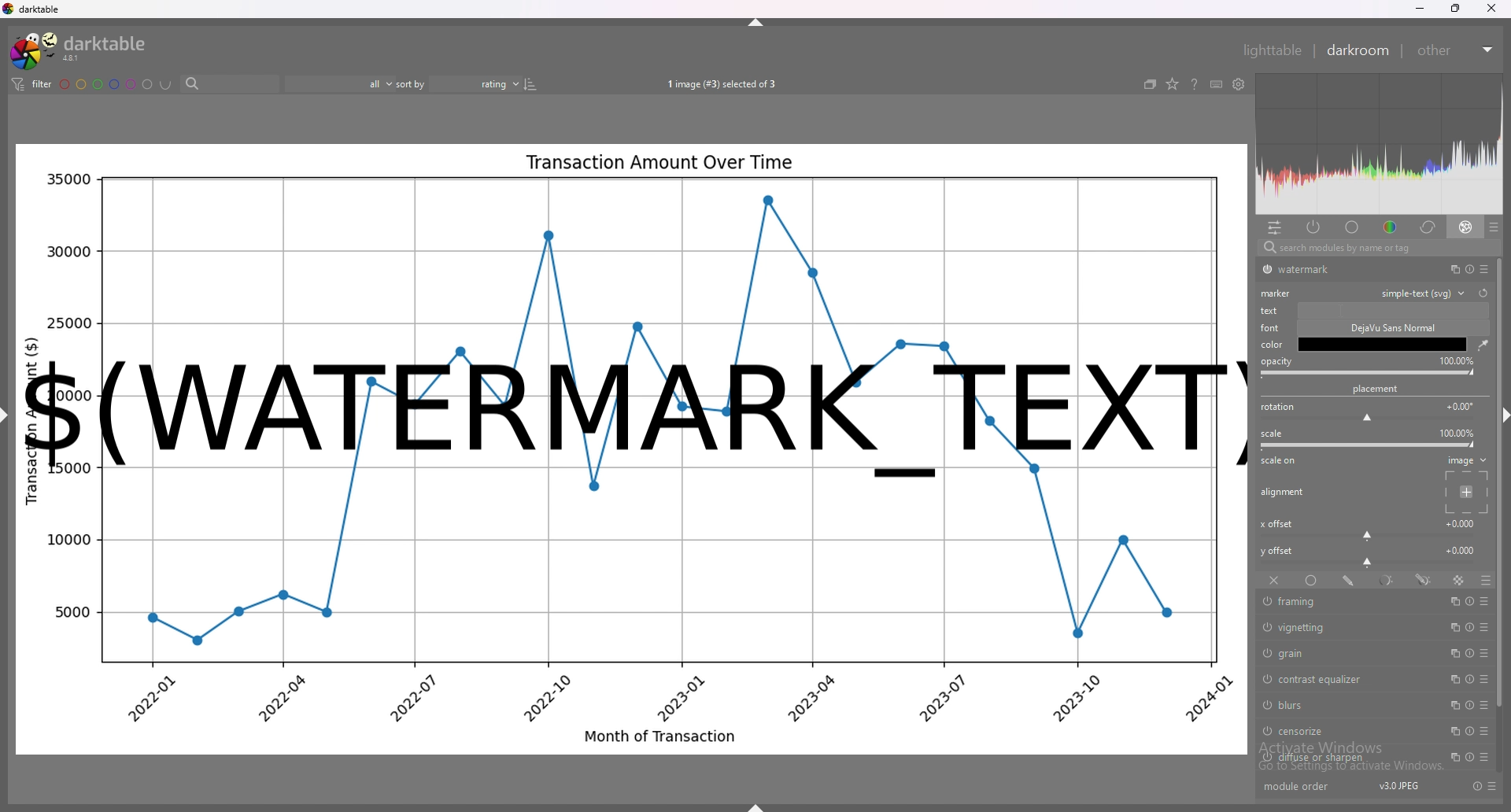 The image size is (1511, 812). What do you see at coordinates (1470, 601) in the screenshot?
I see `reset` at bounding box center [1470, 601].